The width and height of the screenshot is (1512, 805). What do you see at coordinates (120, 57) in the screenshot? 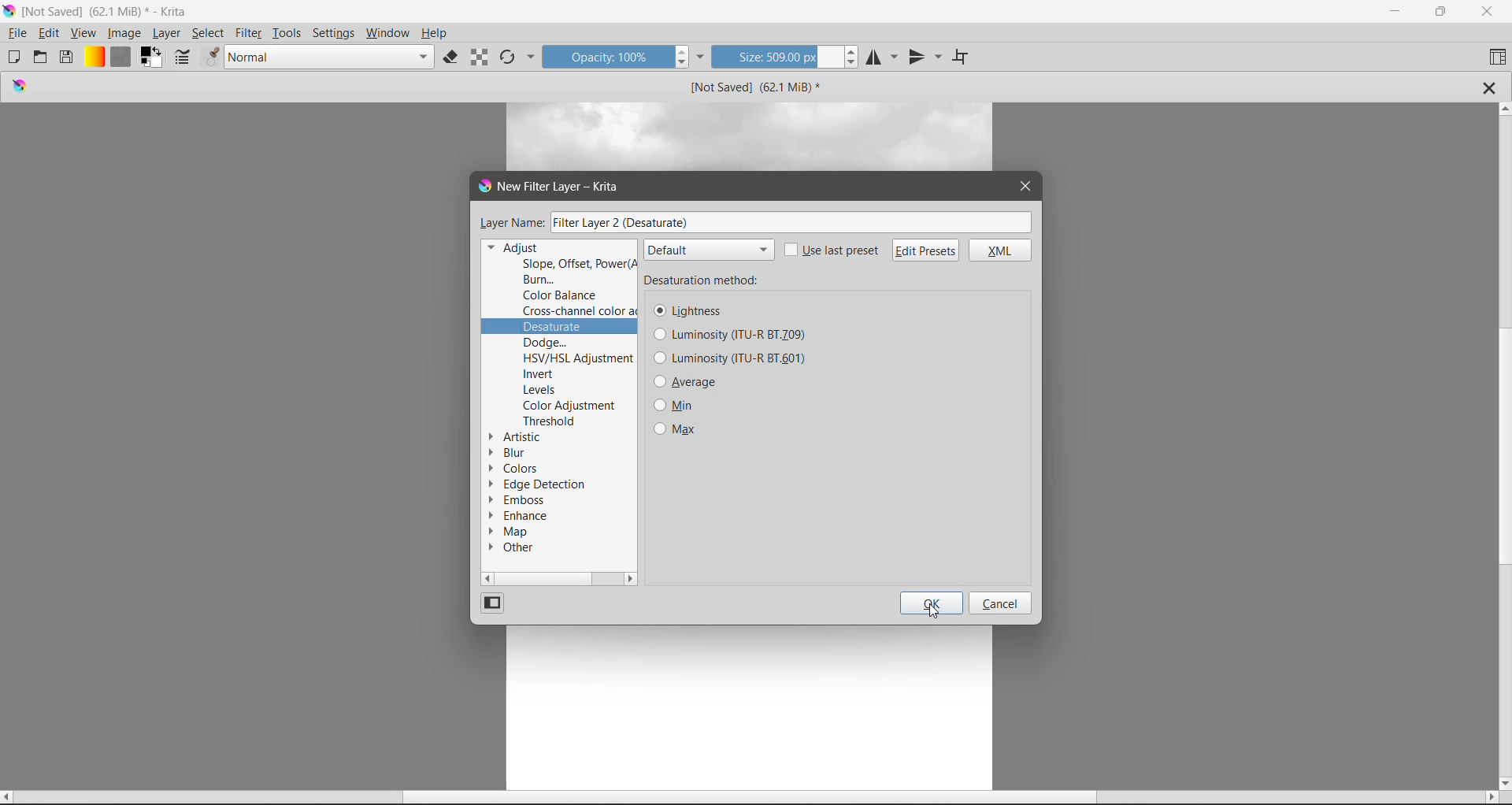
I see `Fill Patterns` at bounding box center [120, 57].